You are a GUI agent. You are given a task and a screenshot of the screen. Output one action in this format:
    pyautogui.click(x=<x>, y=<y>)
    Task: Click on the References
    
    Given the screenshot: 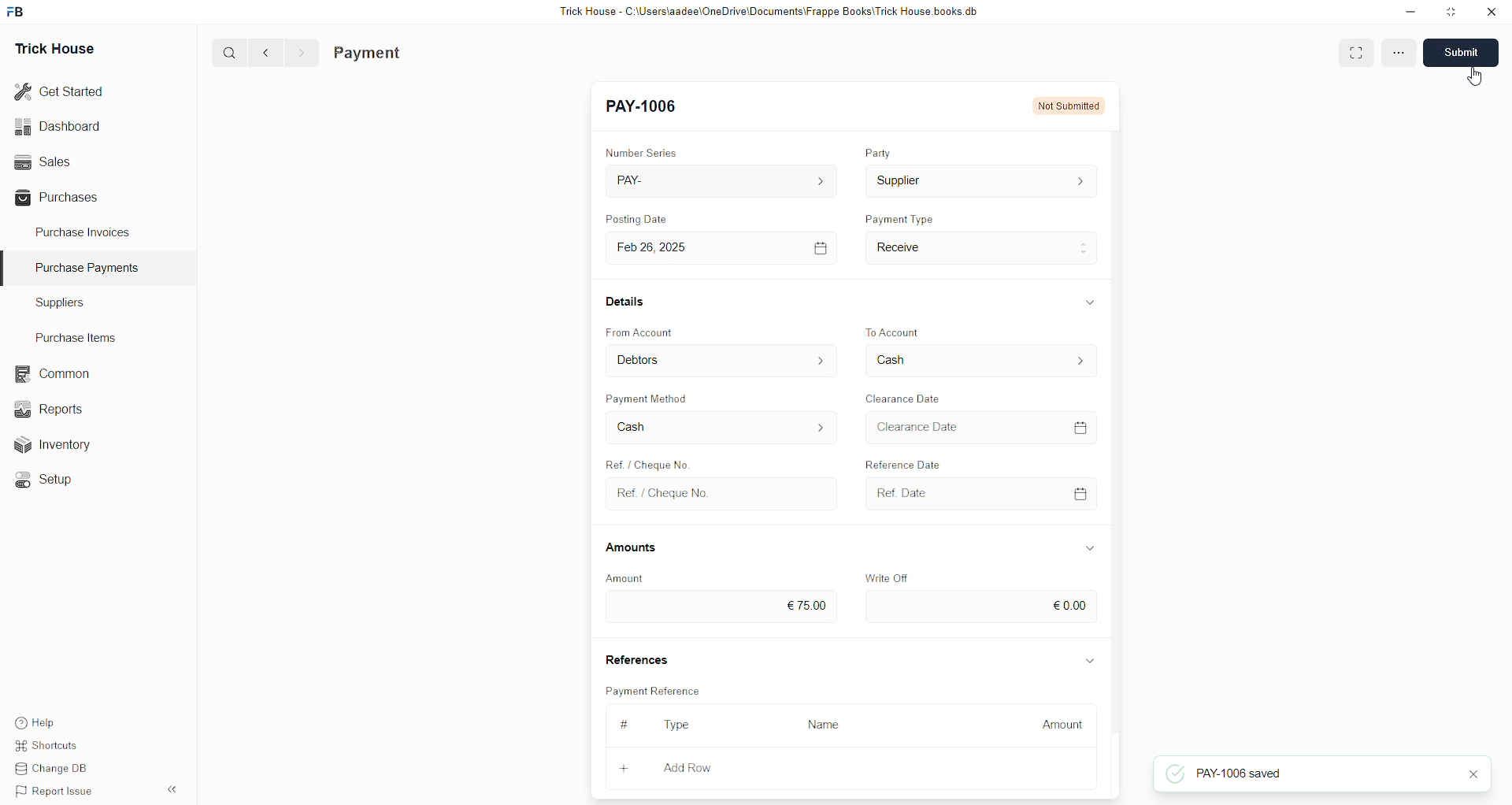 What is the action you would take?
    pyautogui.click(x=636, y=658)
    